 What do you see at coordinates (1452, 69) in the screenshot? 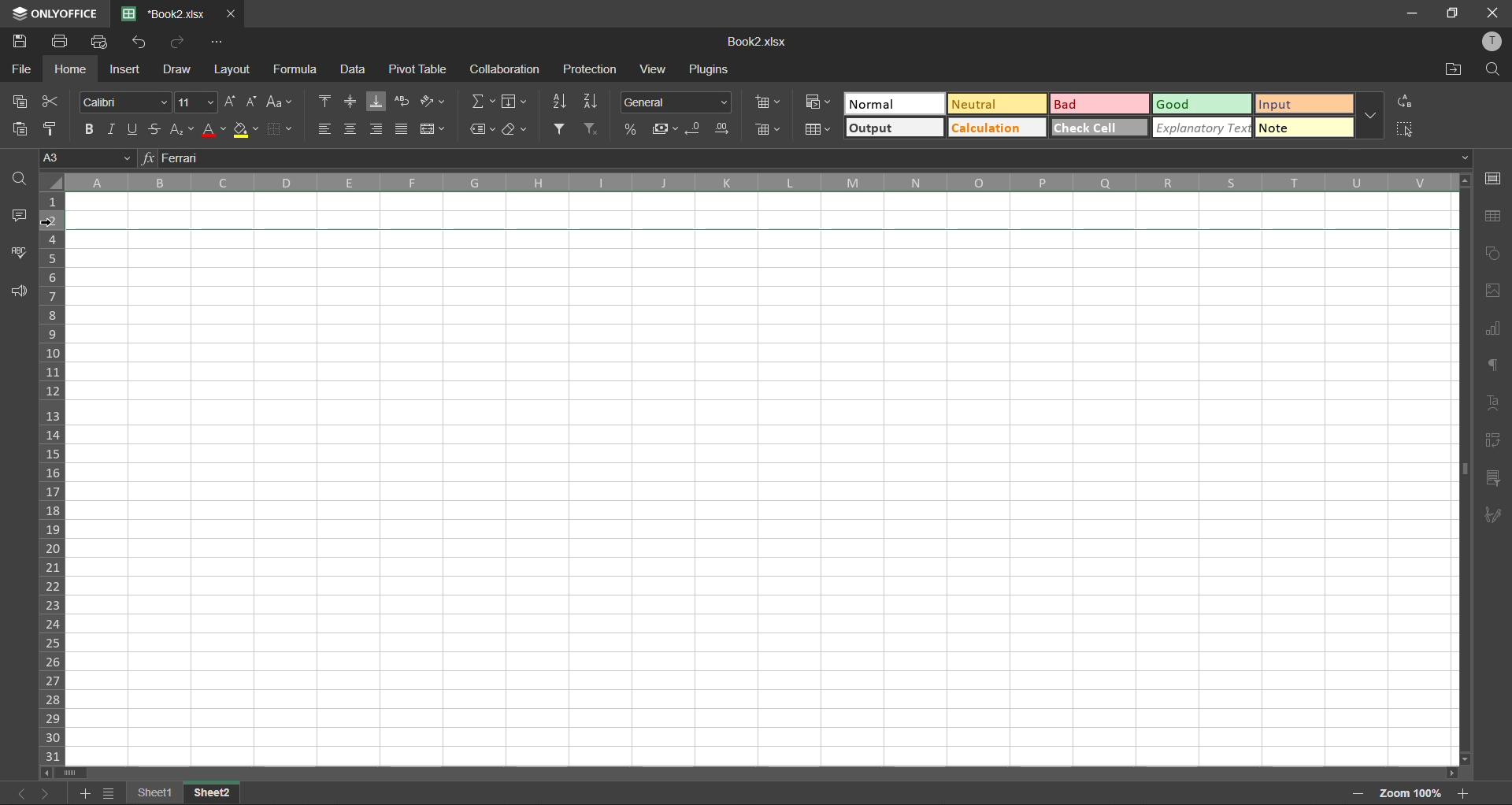
I see `open location` at bounding box center [1452, 69].